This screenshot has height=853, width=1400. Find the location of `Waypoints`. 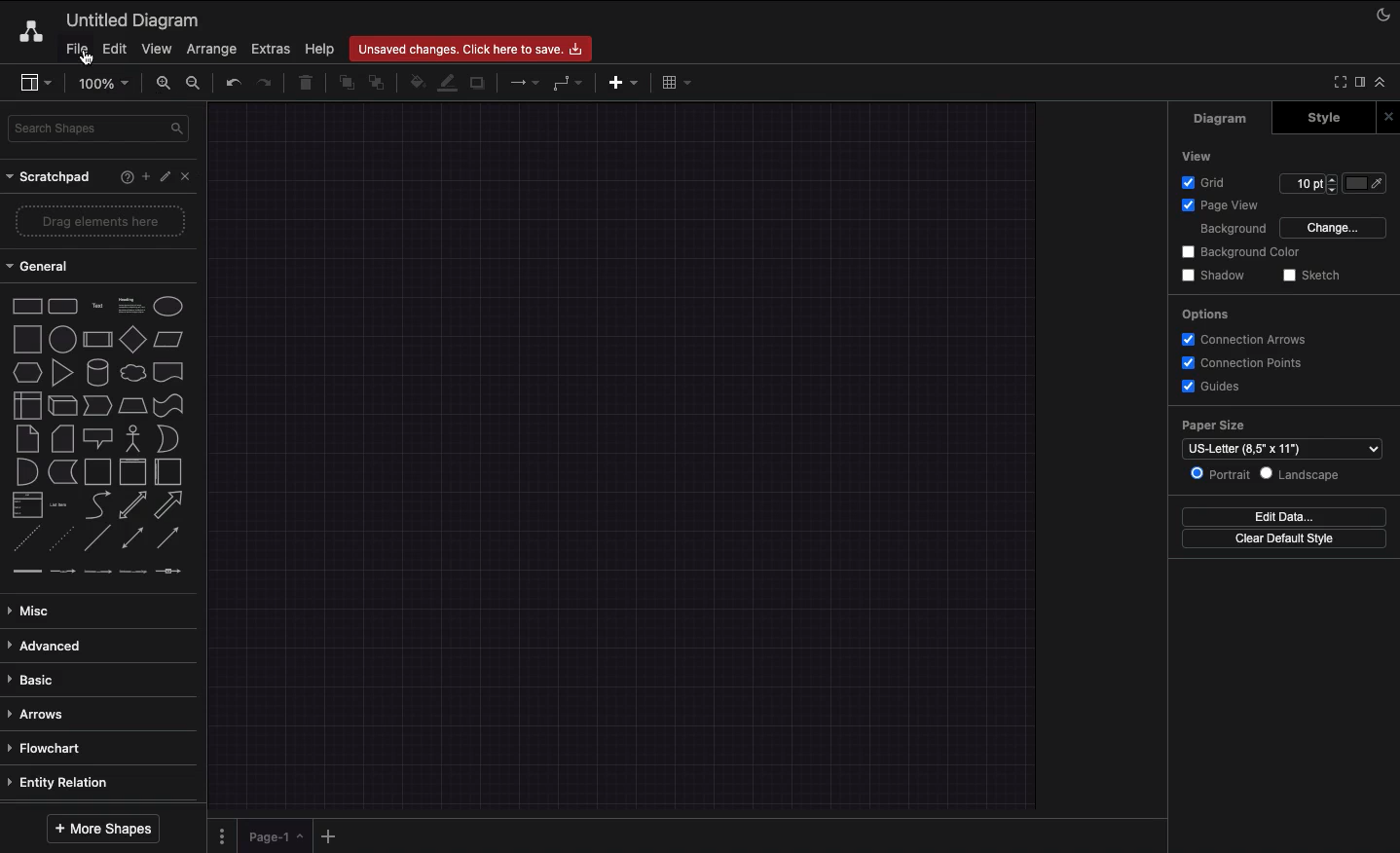

Waypoints is located at coordinates (569, 85).